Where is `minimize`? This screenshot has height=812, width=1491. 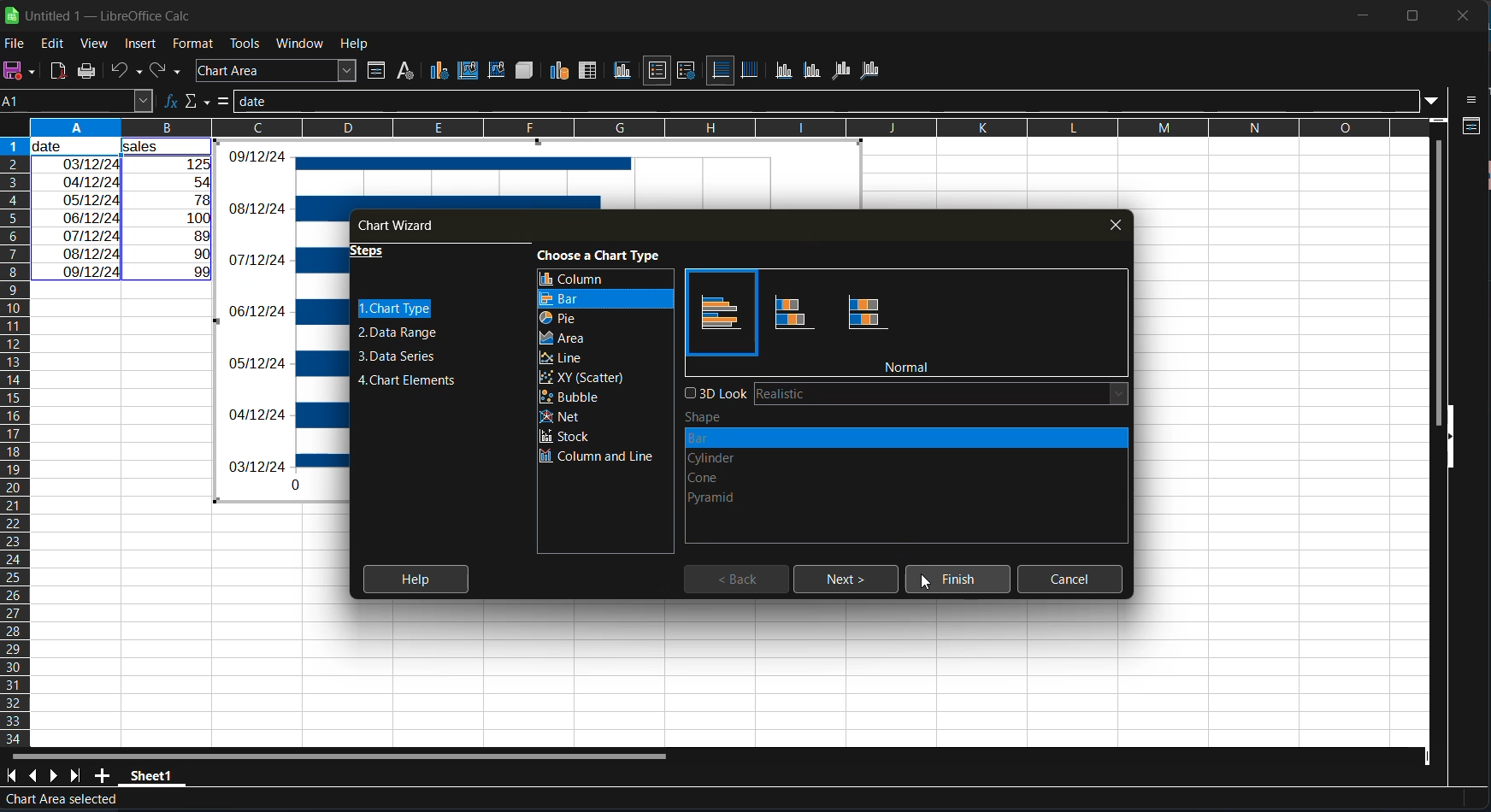
minimize is located at coordinates (1362, 16).